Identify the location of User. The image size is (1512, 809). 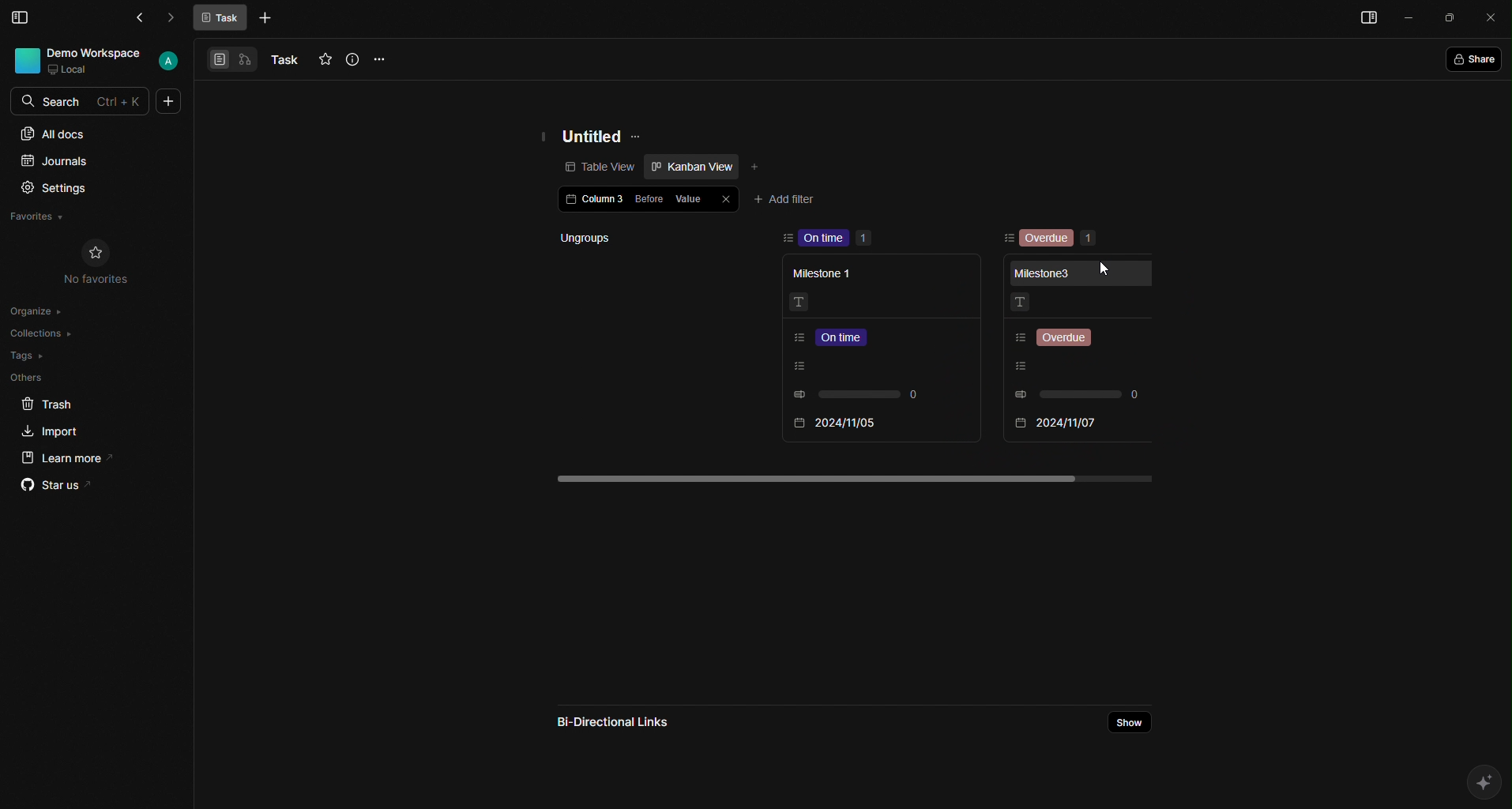
(96, 61).